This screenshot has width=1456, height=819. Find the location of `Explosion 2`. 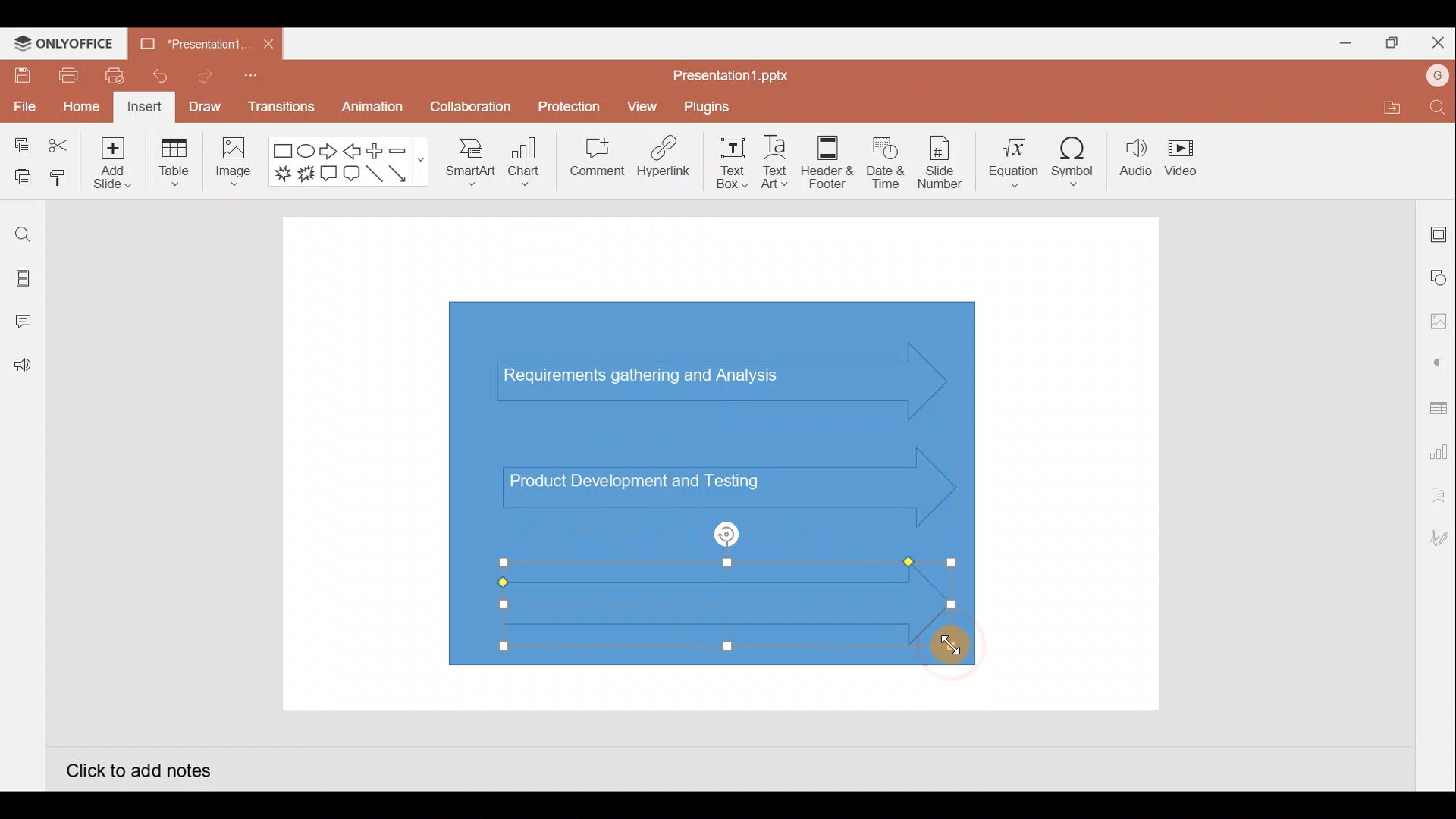

Explosion 2 is located at coordinates (306, 174).